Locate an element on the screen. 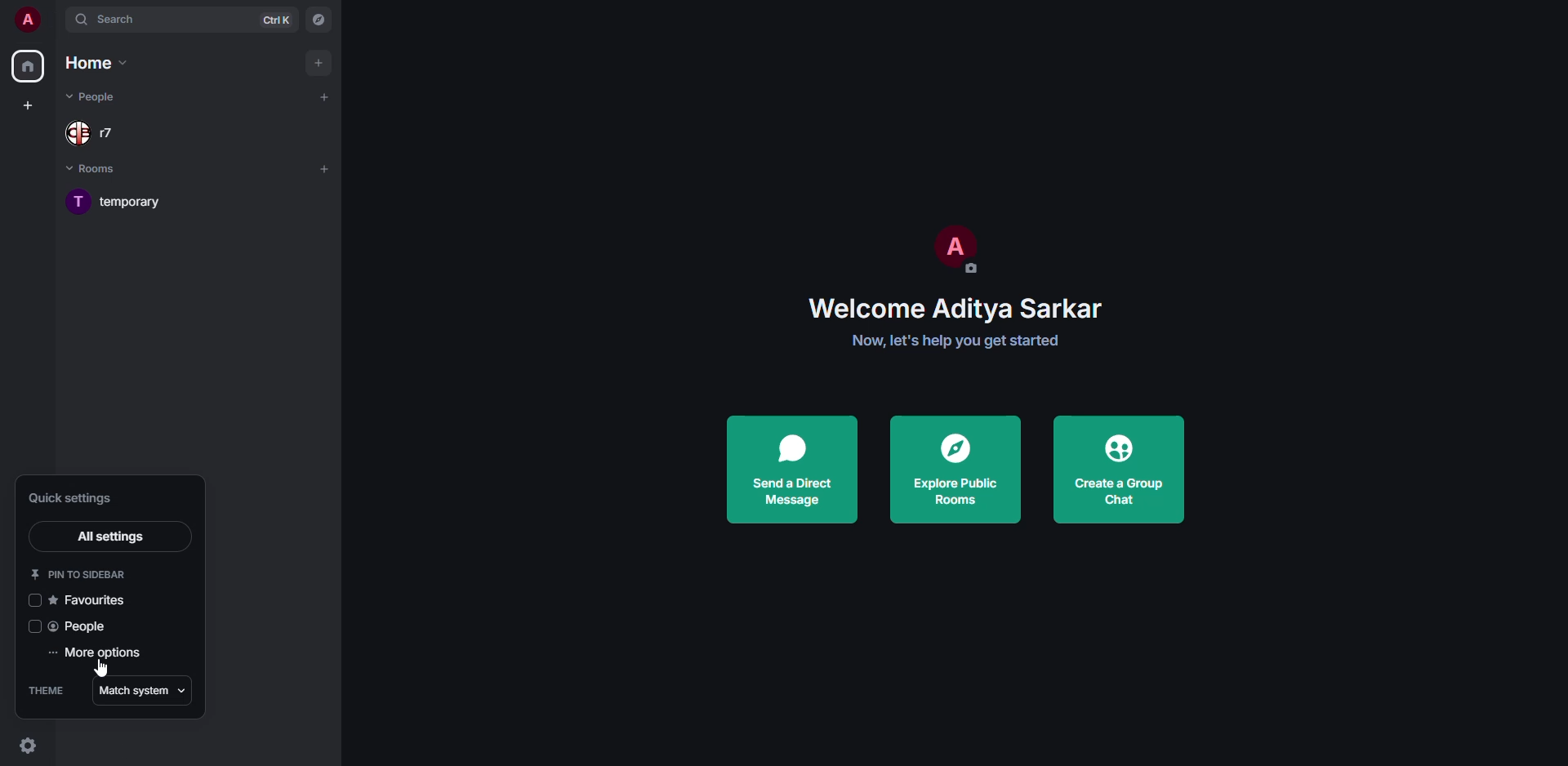 The width and height of the screenshot is (1568, 766). people is located at coordinates (96, 132).